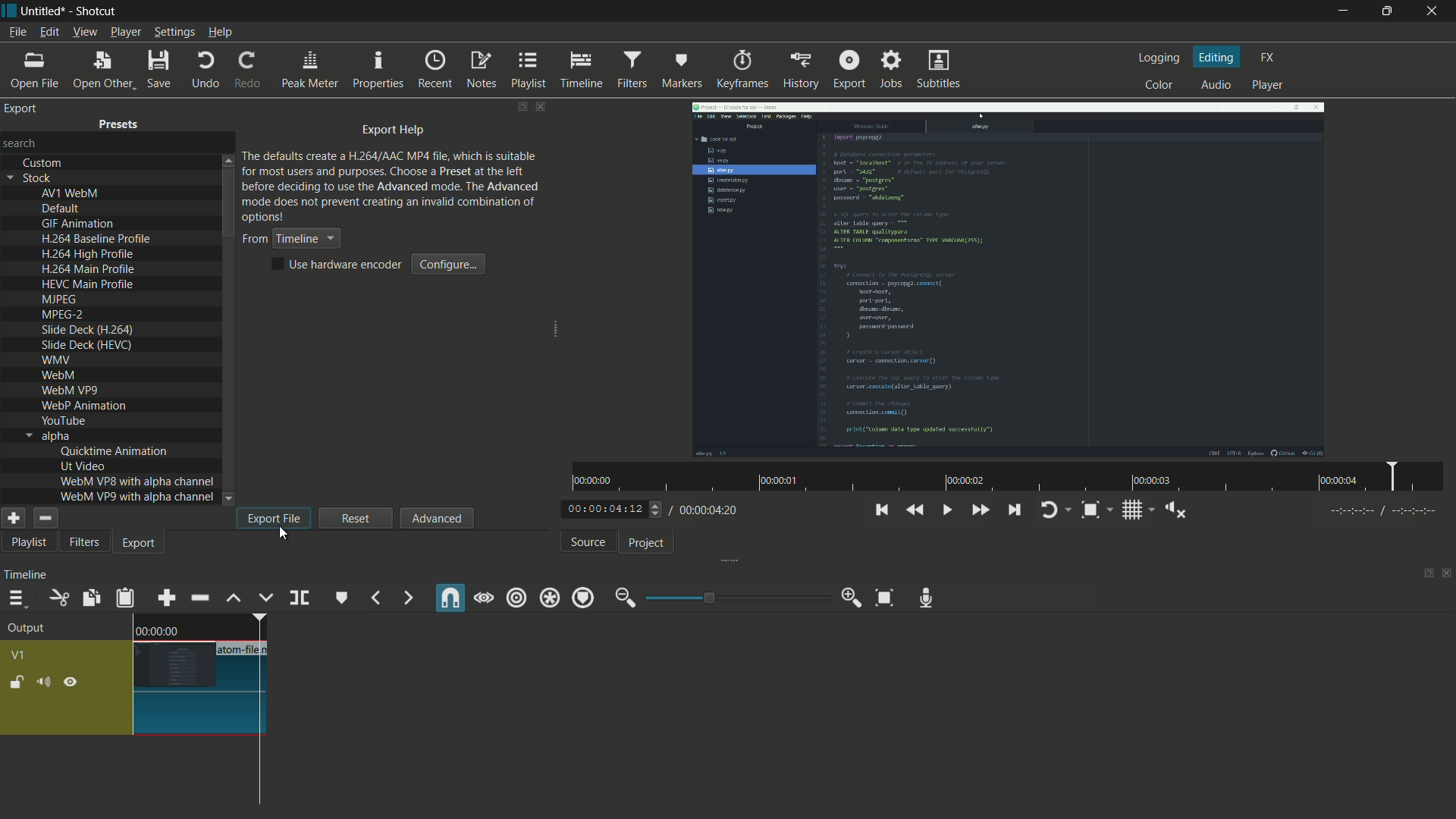  What do you see at coordinates (736, 598) in the screenshot?
I see `adjustment bar` at bounding box center [736, 598].